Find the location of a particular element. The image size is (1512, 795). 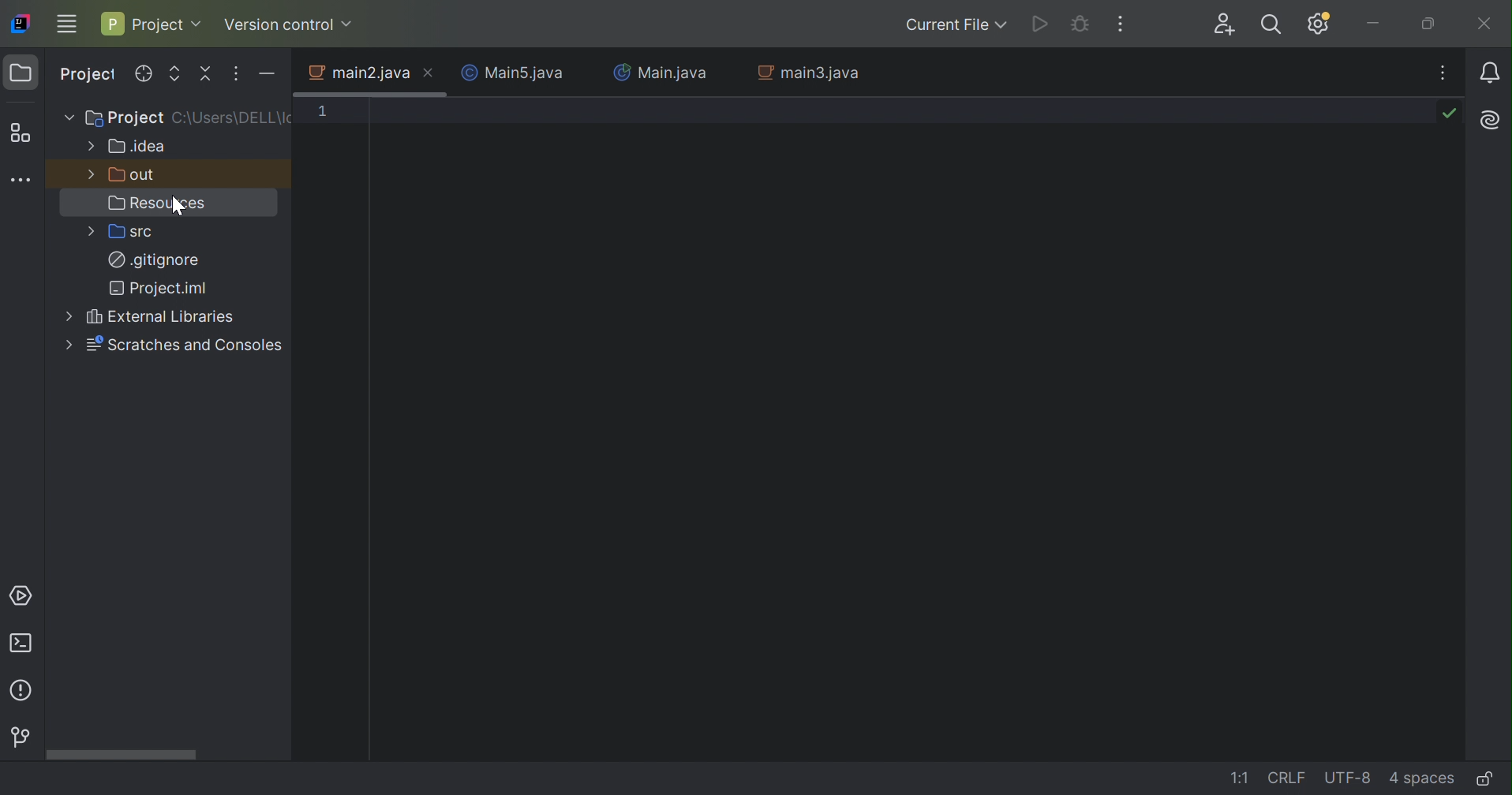

Project is located at coordinates (152, 25).